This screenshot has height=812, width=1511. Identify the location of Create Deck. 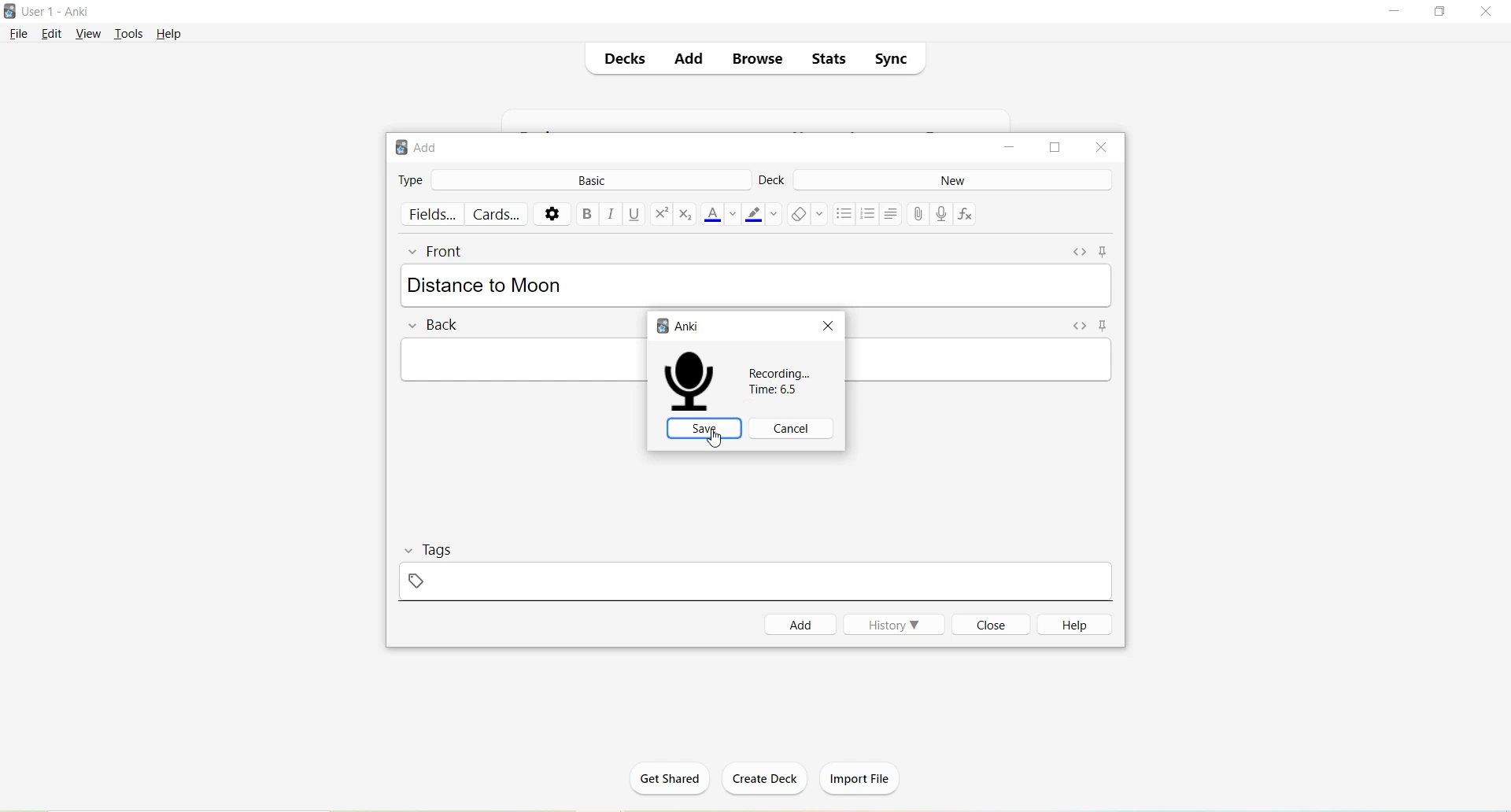
(759, 778).